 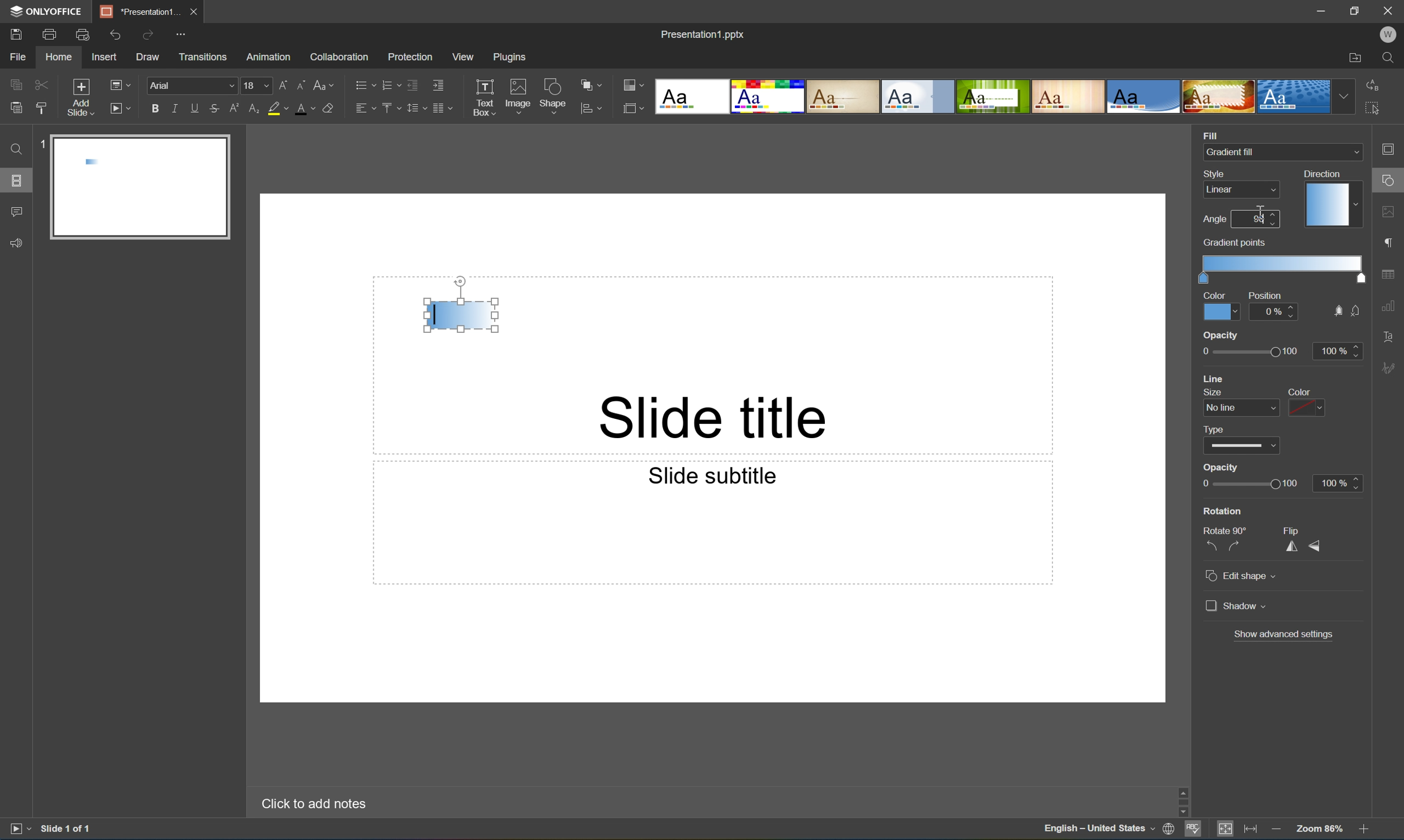 What do you see at coordinates (58, 58) in the screenshot?
I see `Home` at bounding box center [58, 58].